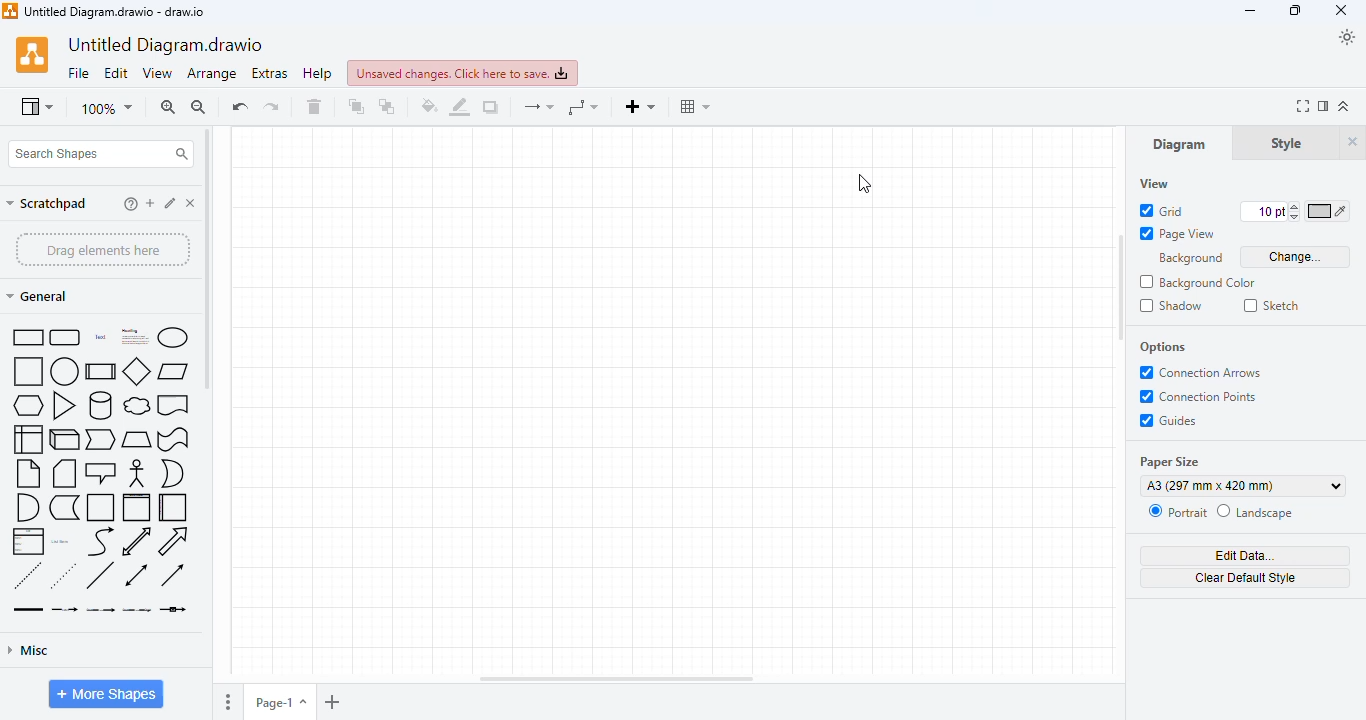 Image resolution: width=1366 pixels, height=720 pixels. I want to click on link, so click(28, 609).